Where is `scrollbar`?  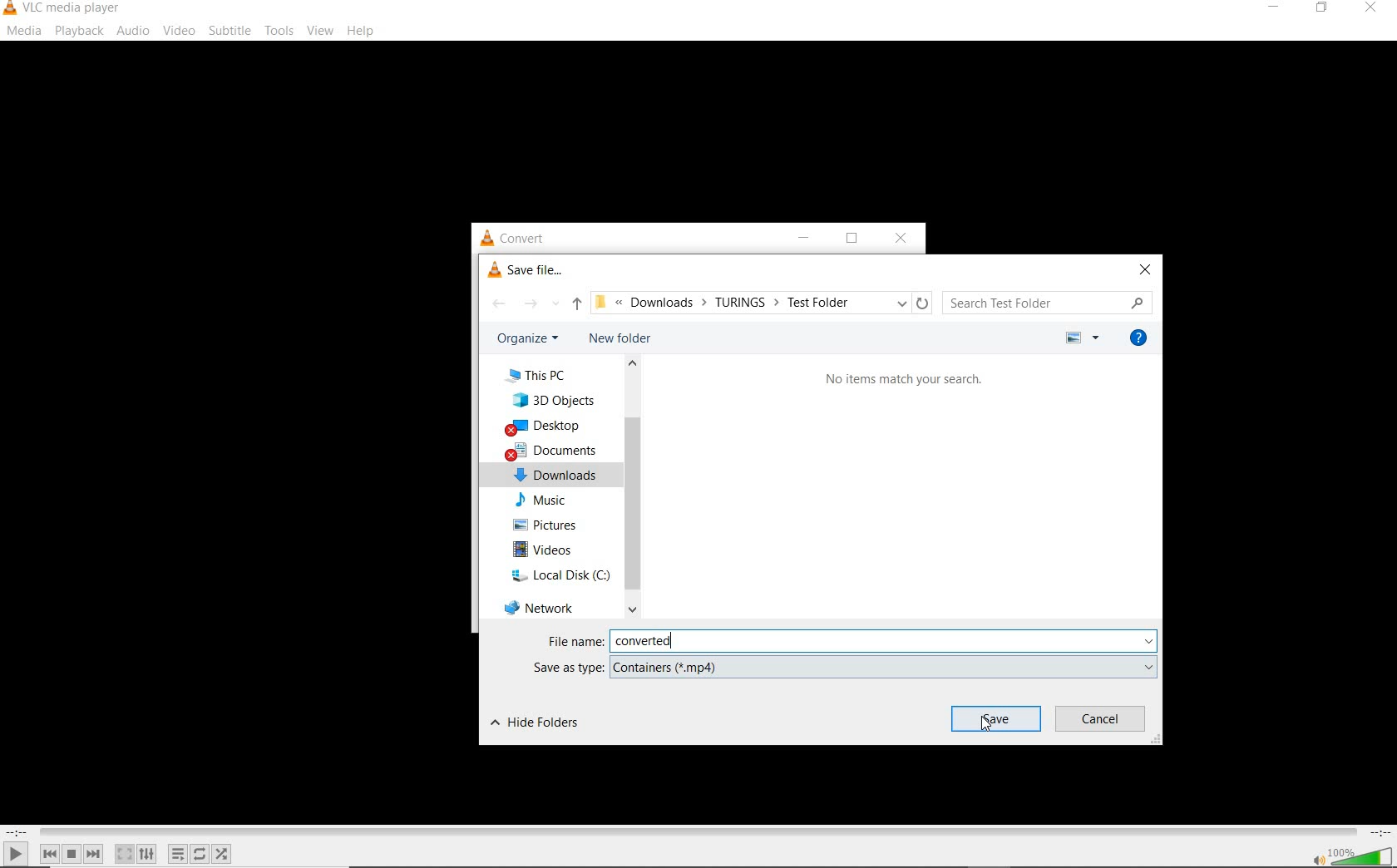 scrollbar is located at coordinates (631, 487).